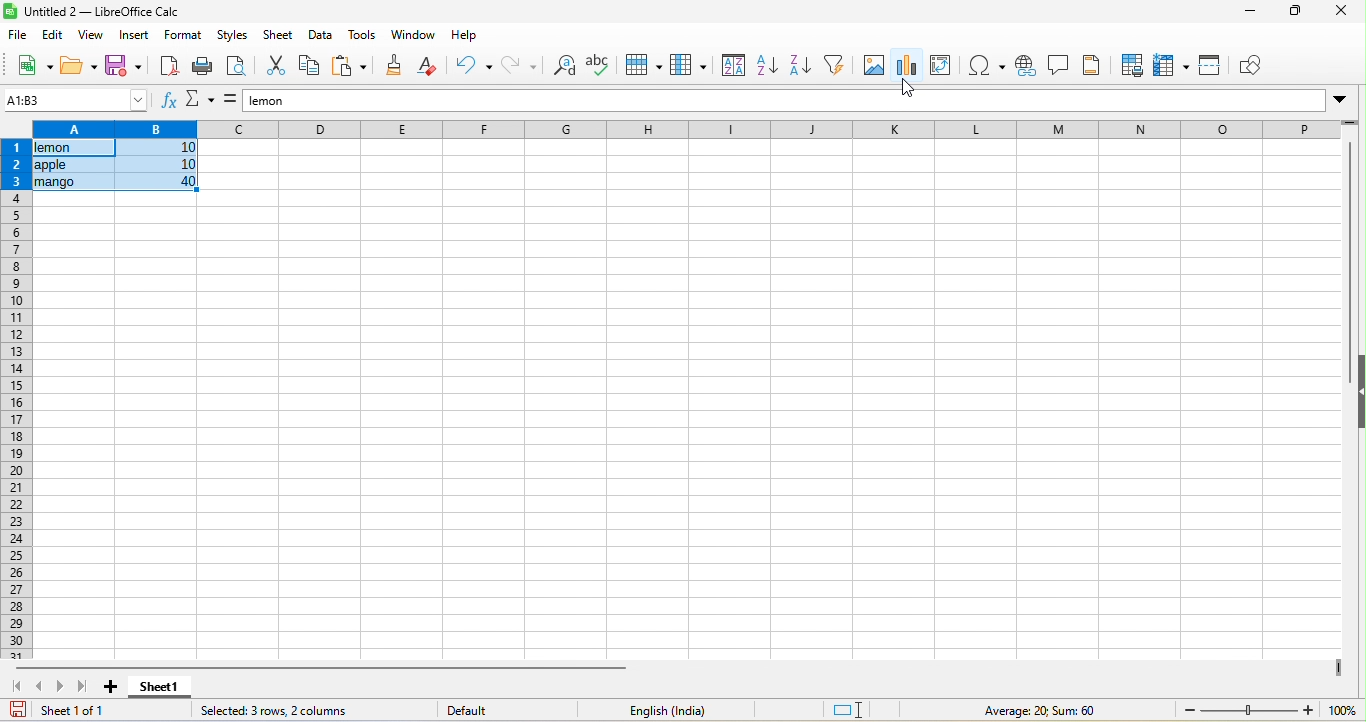 The height and width of the screenshot is (722, 1366). What do you see at coordinates (908, 66) in the screenshot?
I see `select option` at bounding box center [908, 66].